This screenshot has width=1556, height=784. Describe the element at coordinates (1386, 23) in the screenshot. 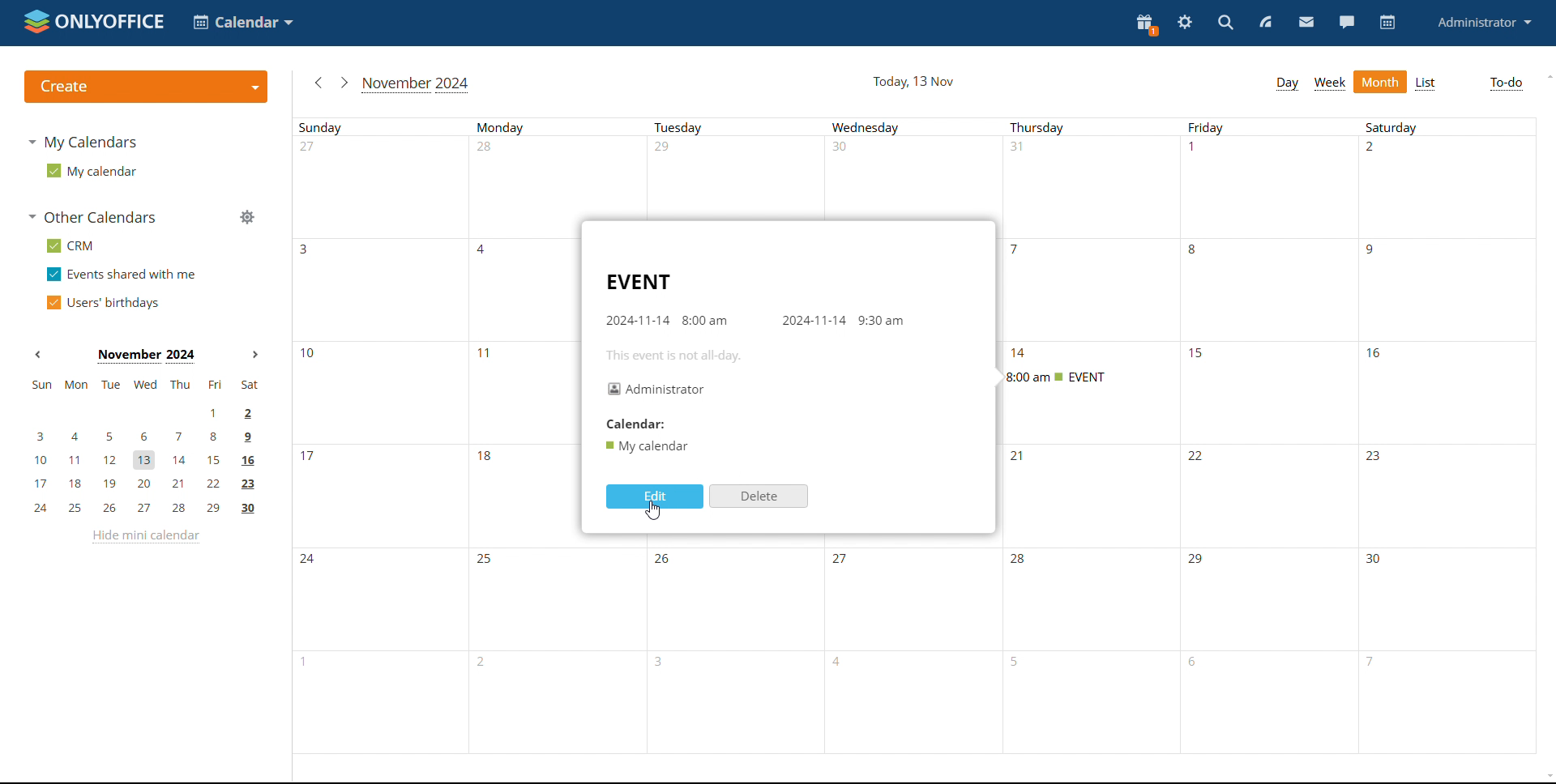

I see `calendar` at that location.